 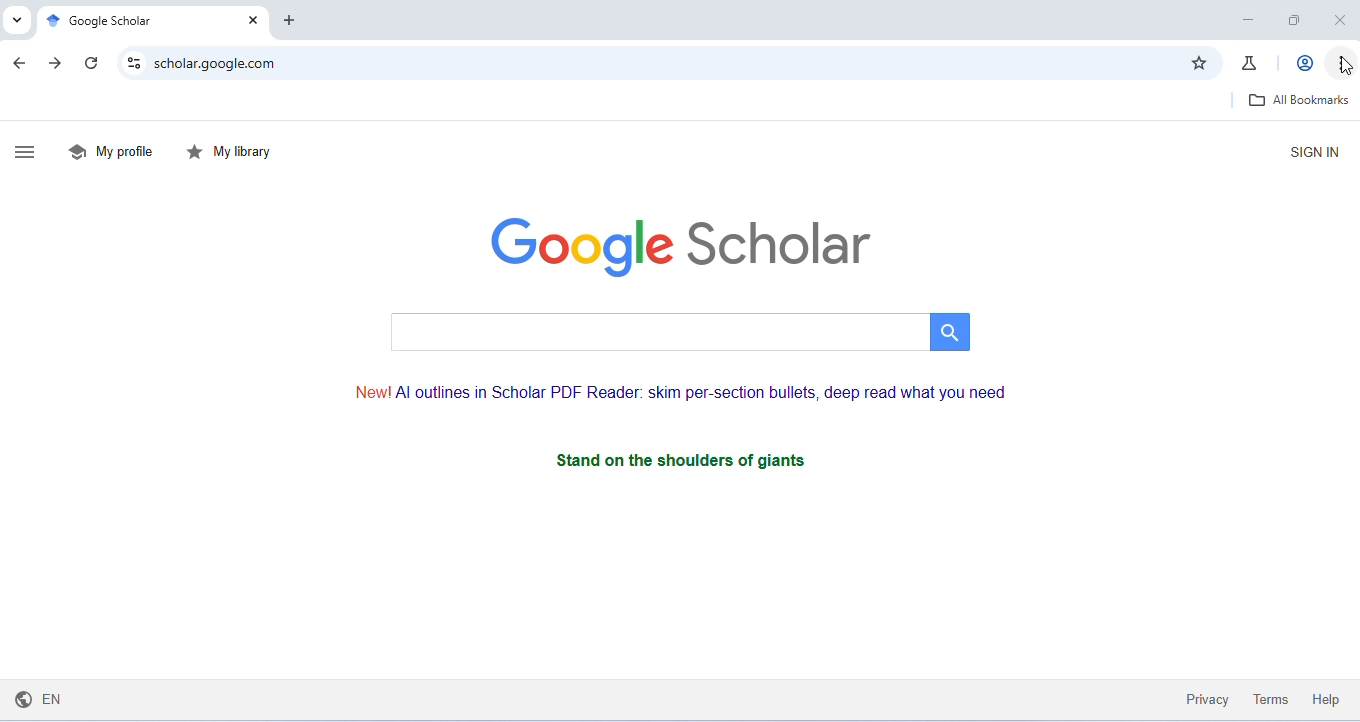 I want to click on terms, so click(x=1269, y=698).